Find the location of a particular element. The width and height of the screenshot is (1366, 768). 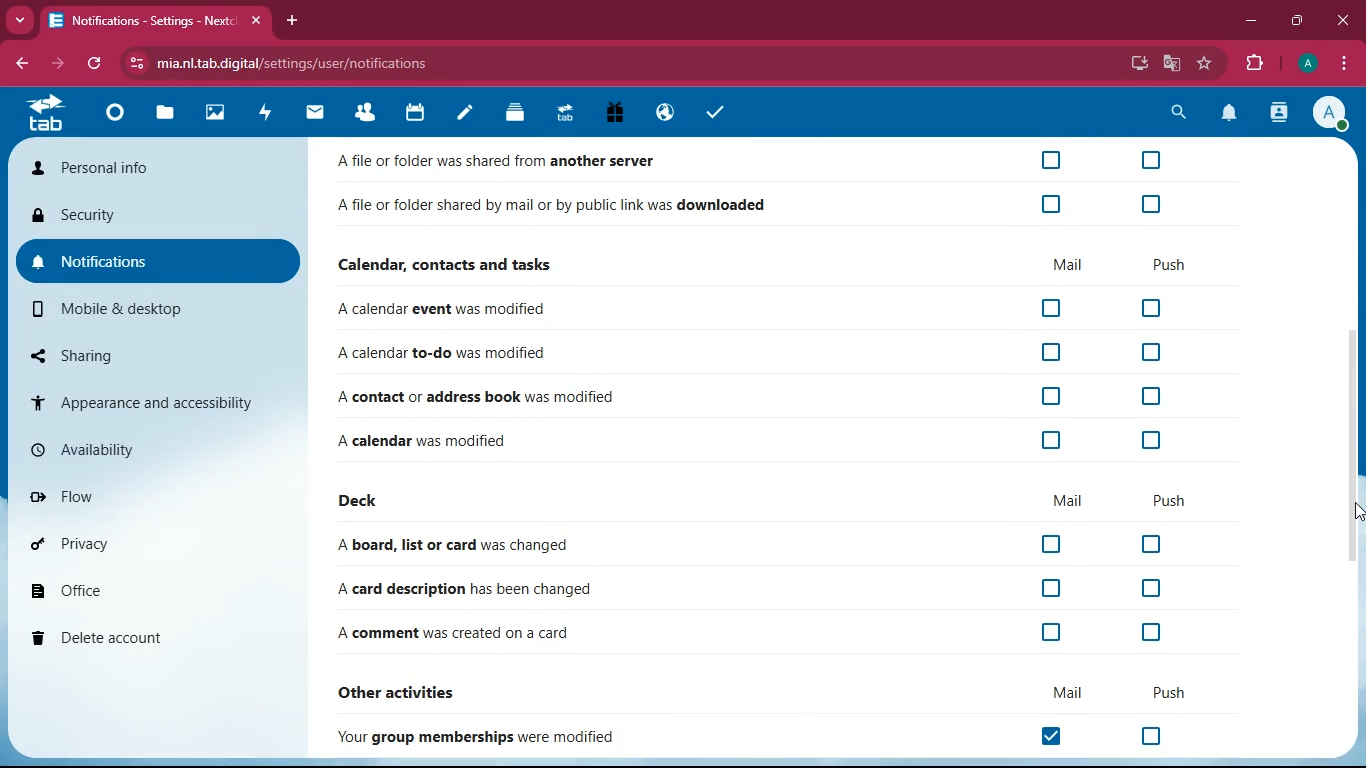

mail is located at coordinates (1069, 500).